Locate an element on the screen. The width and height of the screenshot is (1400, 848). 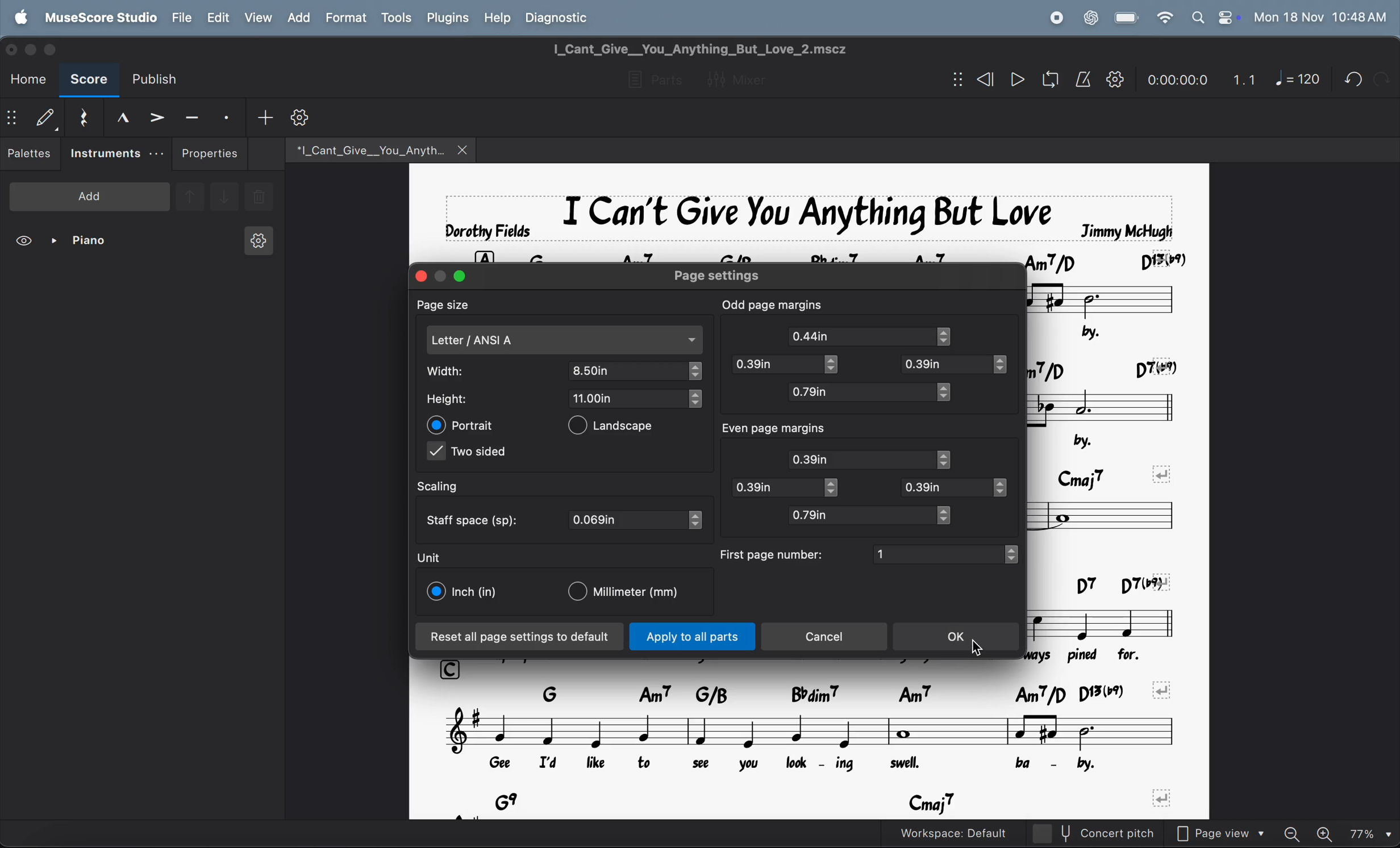
cancel is located at coordinates (830, 637).